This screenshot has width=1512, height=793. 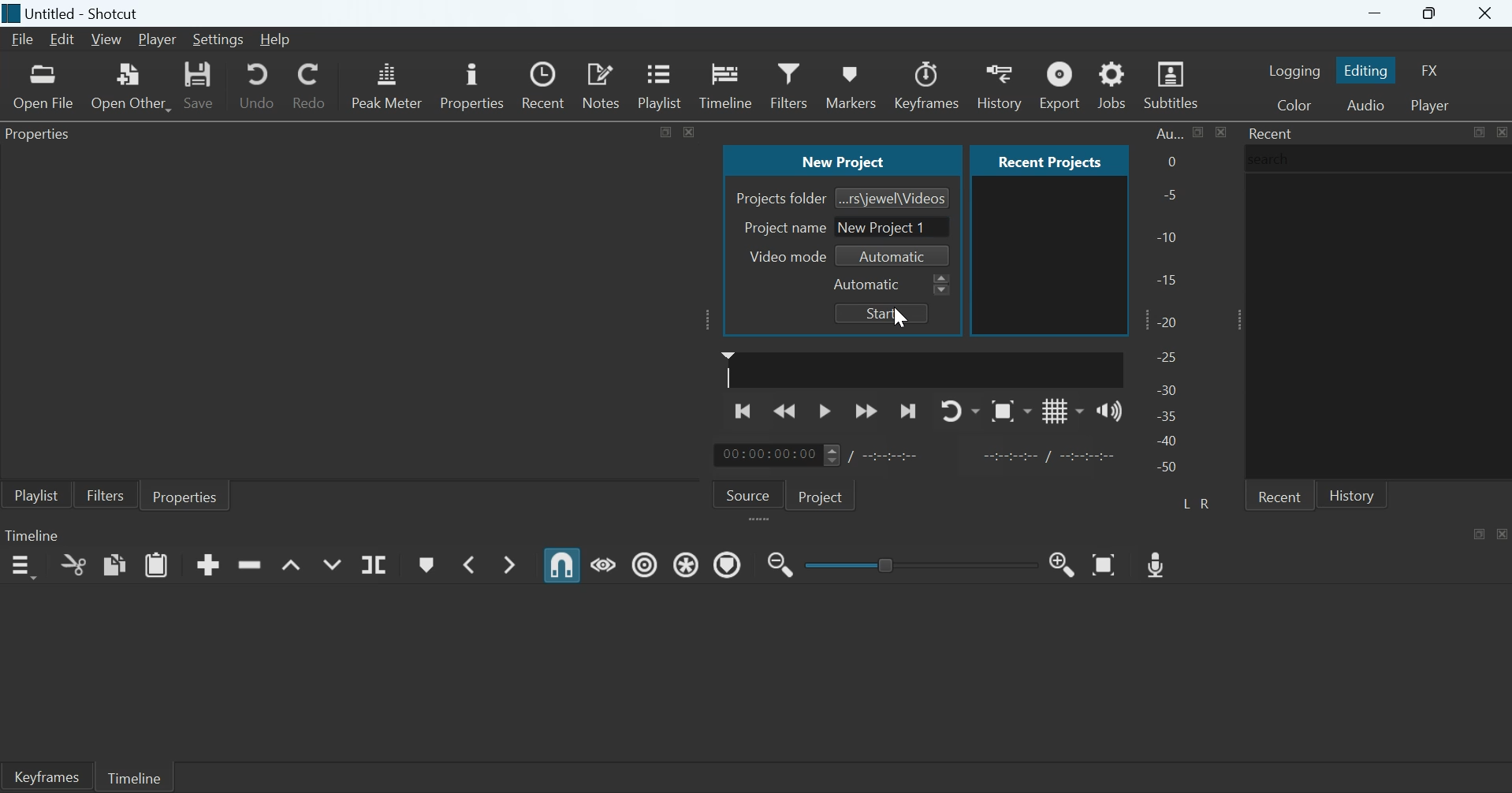 What do you see at coordinates (471, 84) in the screenshot?
I see `Properties` at bounding box center [471, 84].